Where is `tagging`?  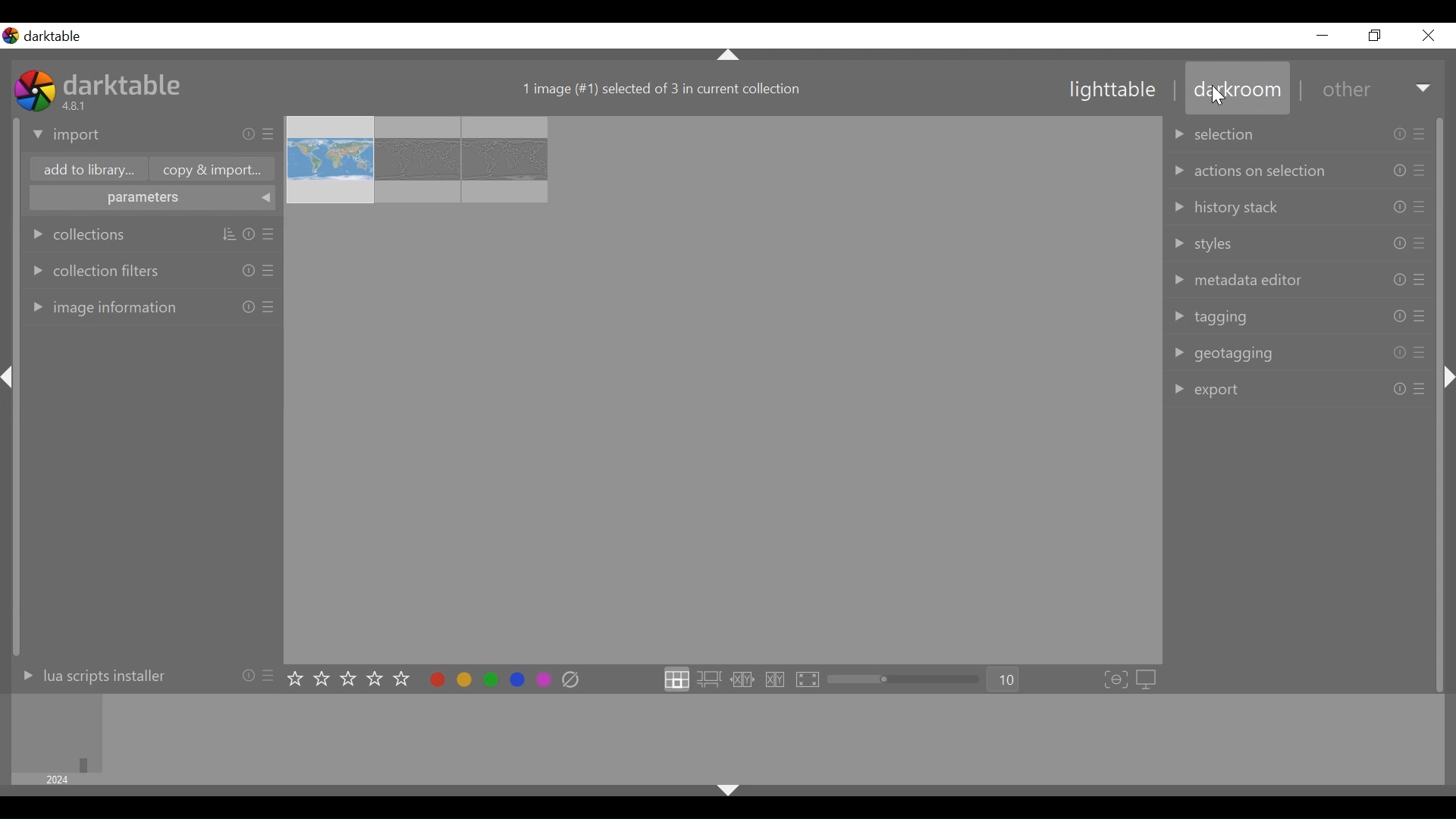 tagging is located at coordinates (1298, 316).